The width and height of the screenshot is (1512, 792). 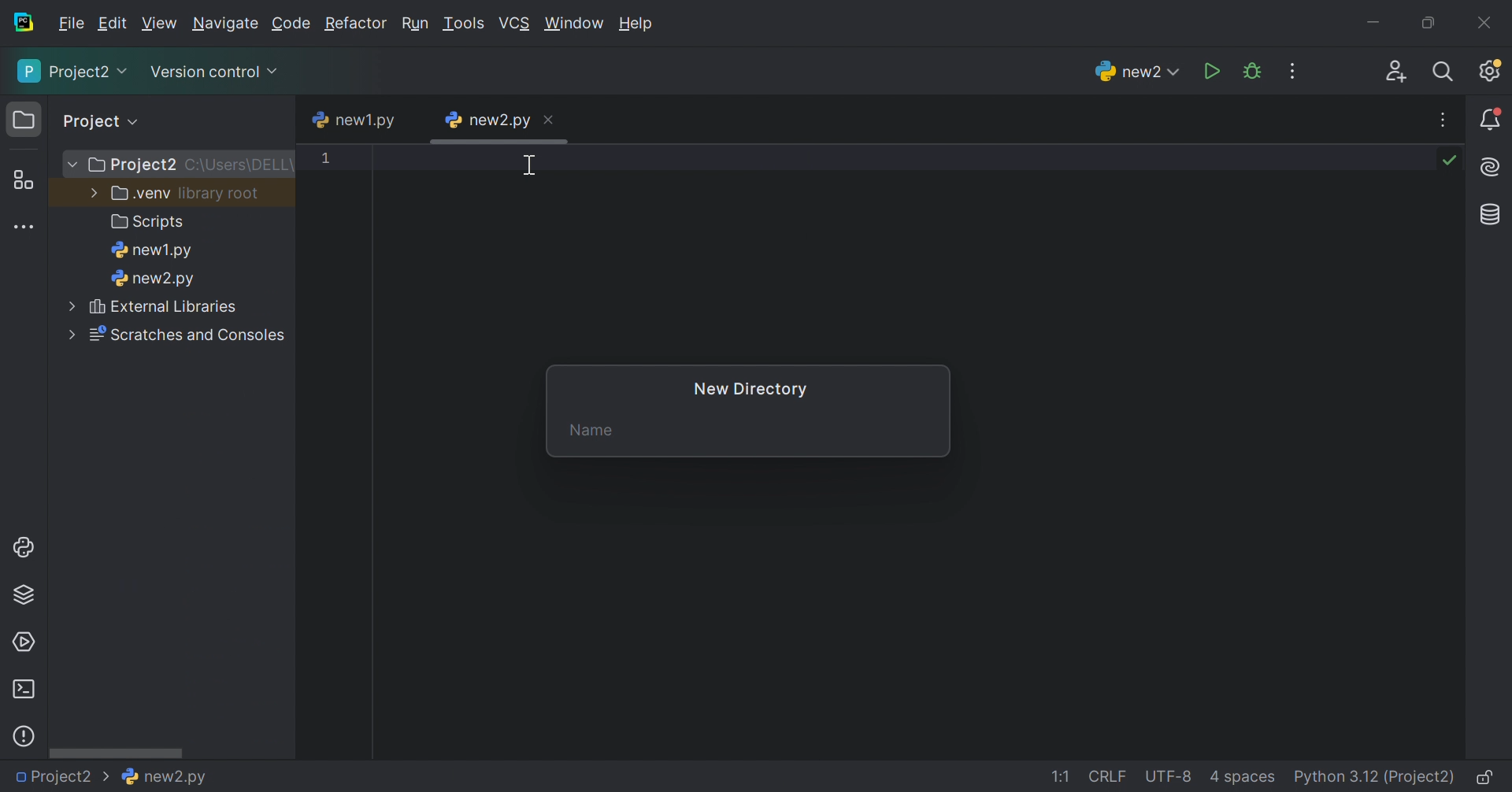 I want to click on Run, so click(x=1213, y=72).